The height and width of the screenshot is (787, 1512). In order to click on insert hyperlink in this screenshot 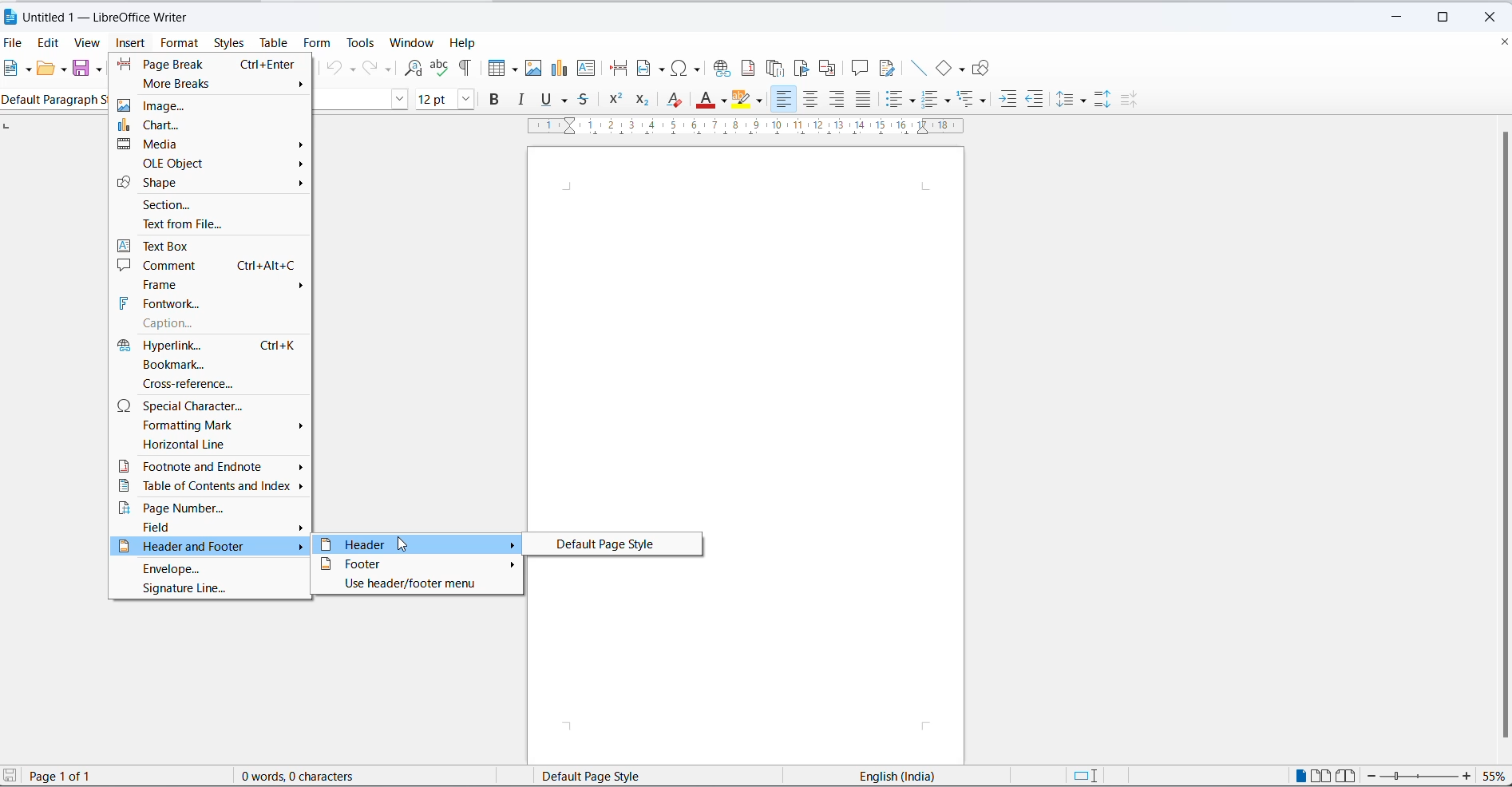, I will do `click(722, 68)`.